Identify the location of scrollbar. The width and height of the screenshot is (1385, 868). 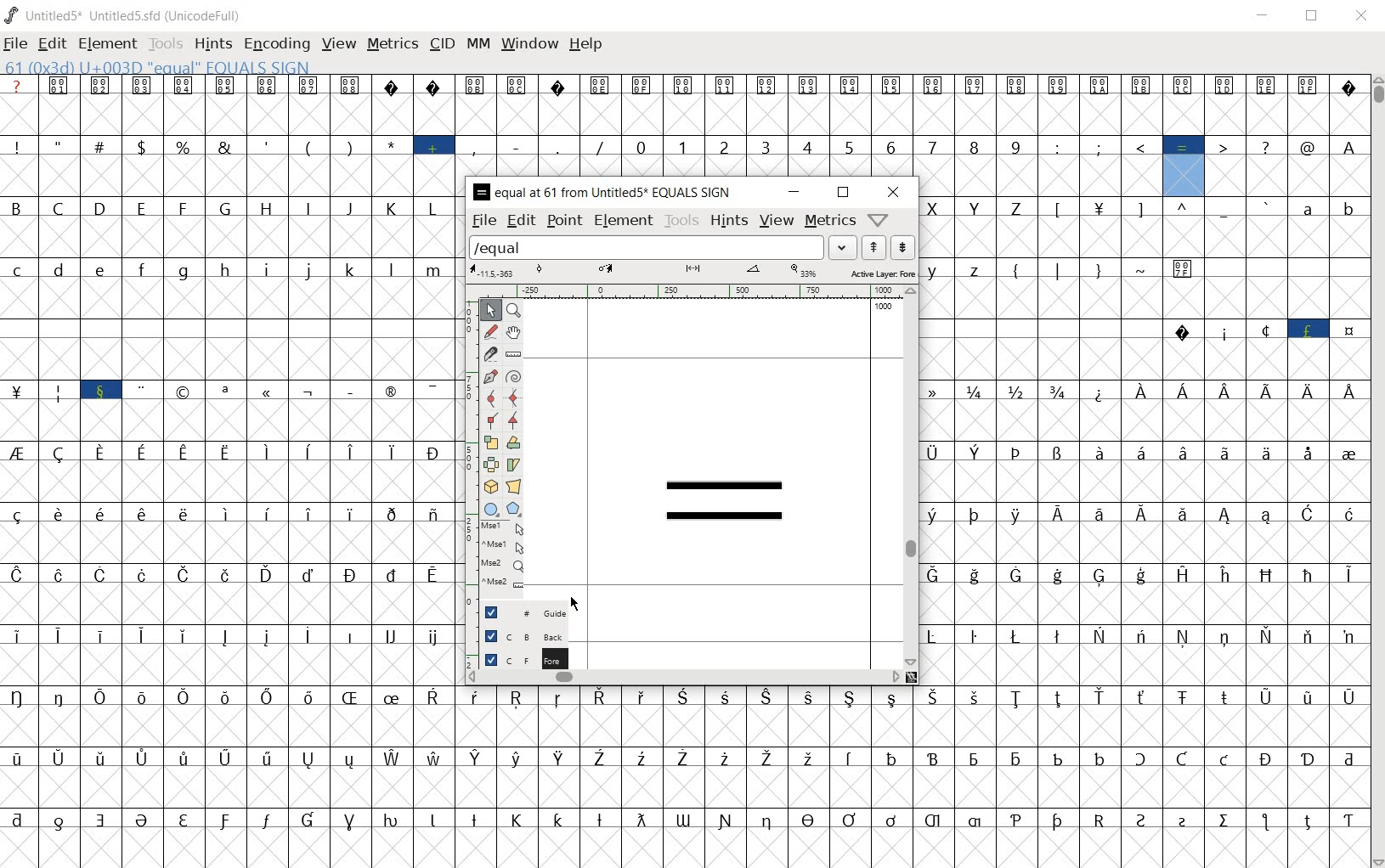
(911, 476).